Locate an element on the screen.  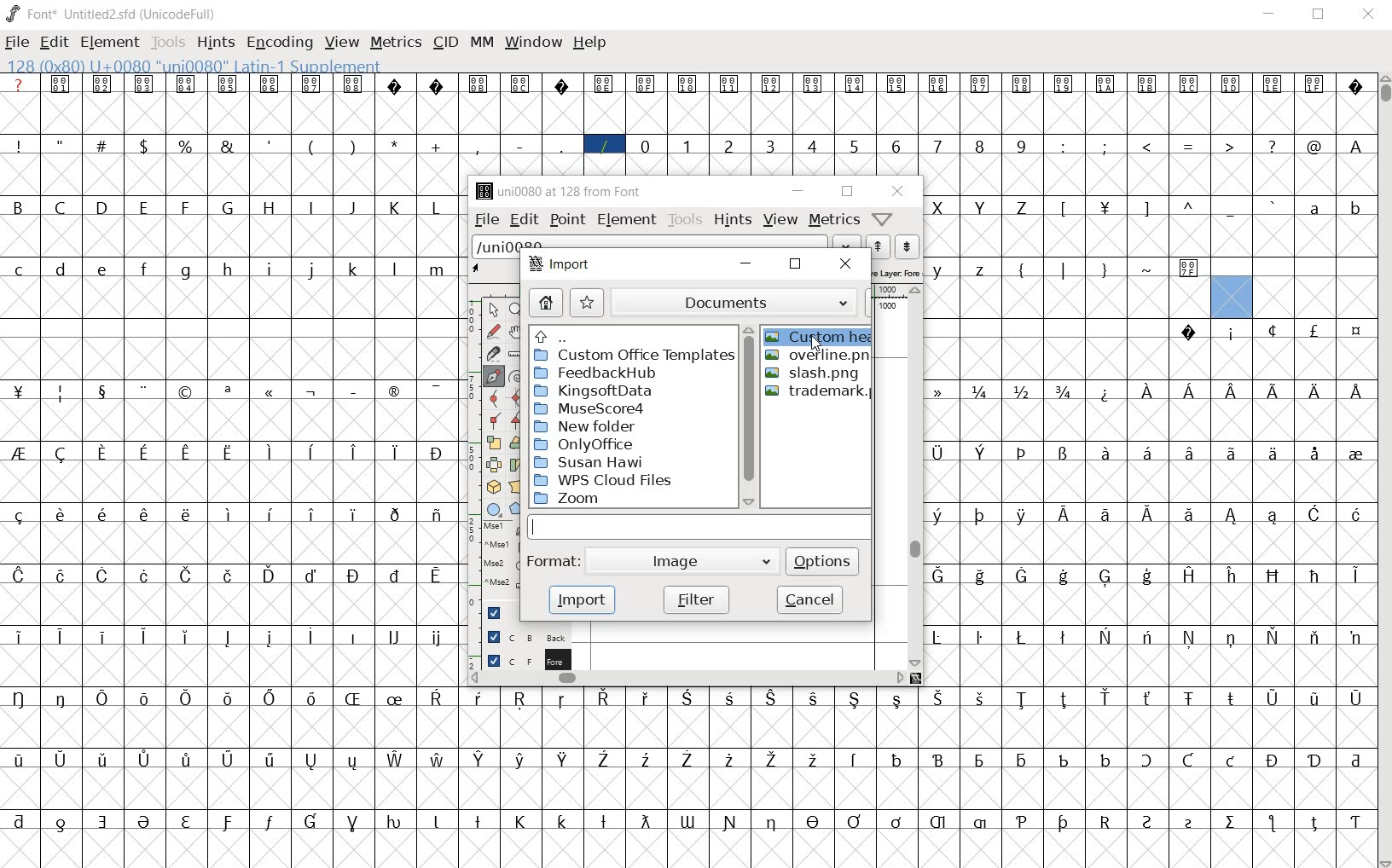
glyph is located at coordinates (1232, 698).